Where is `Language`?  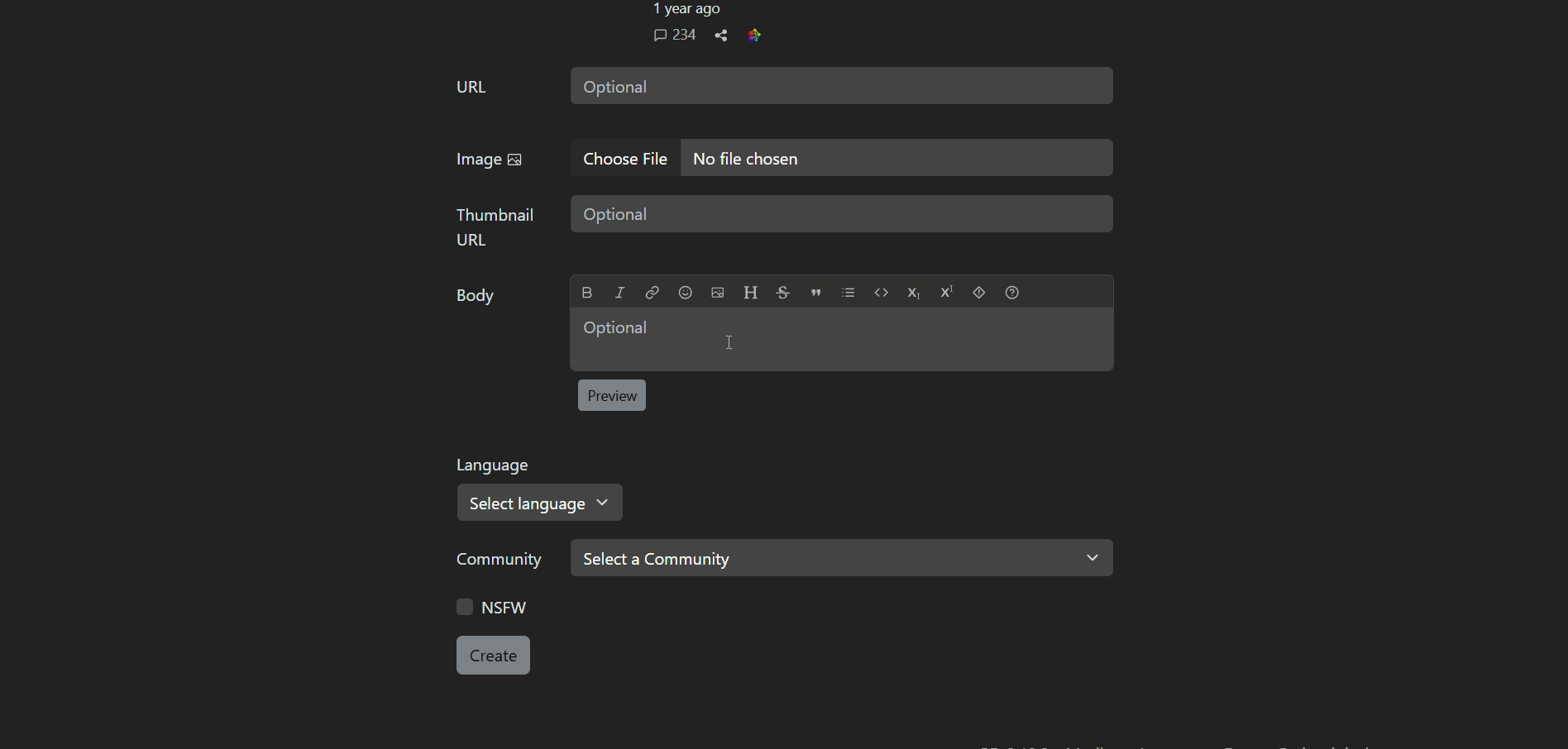 Language is located at coordinates (496, 465).